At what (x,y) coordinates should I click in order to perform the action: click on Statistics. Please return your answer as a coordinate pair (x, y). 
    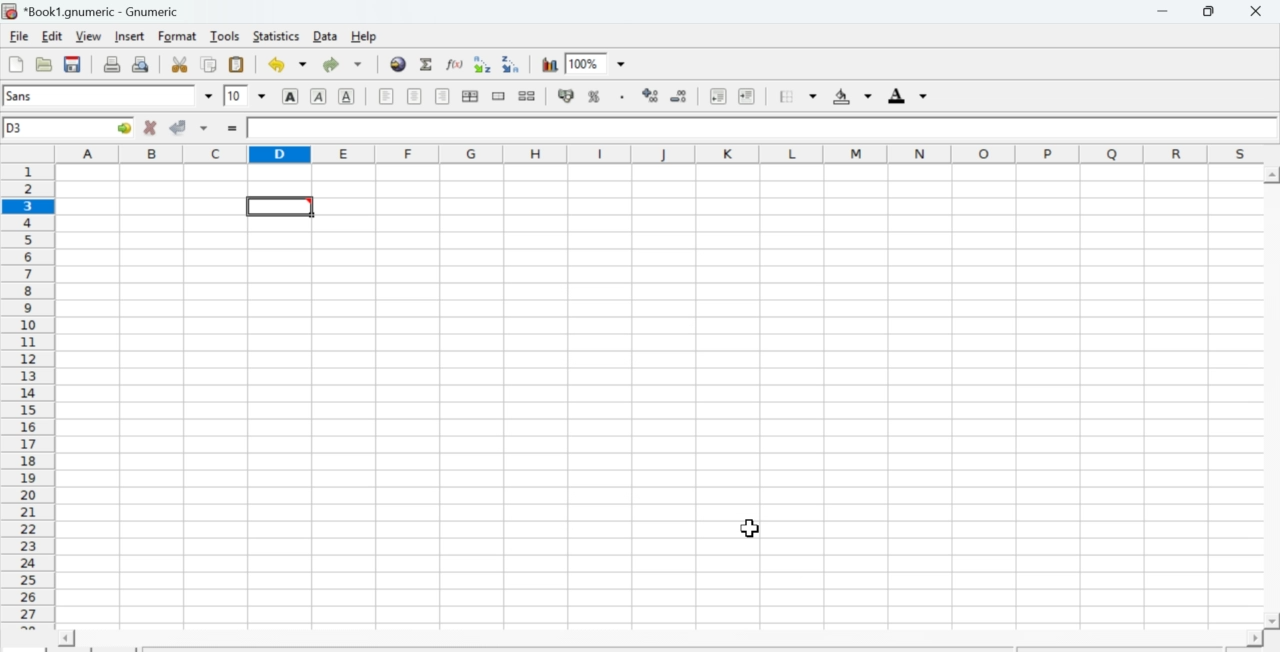
    Looking at the image, I should click on (278, 36).